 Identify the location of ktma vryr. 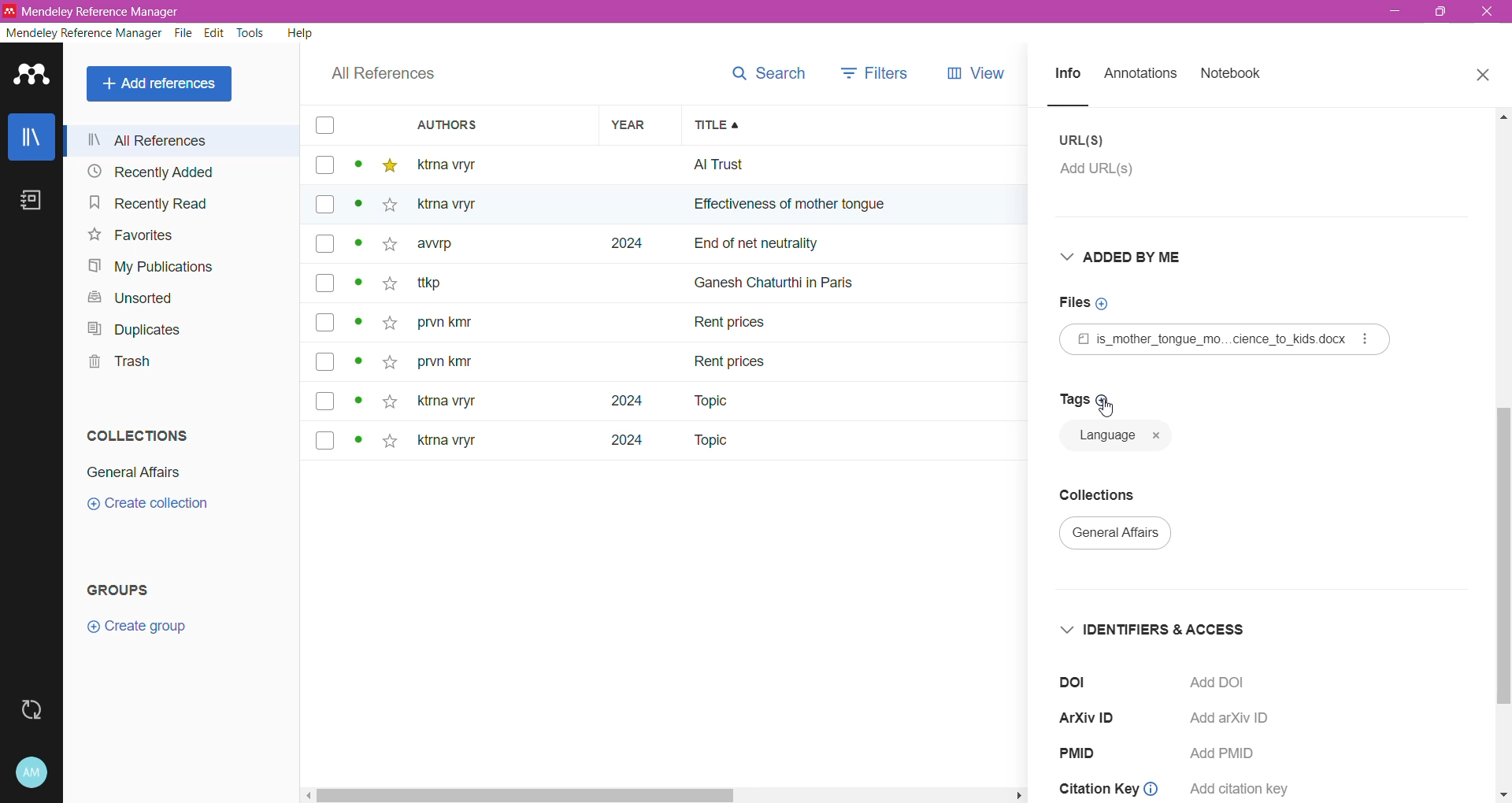
(447, 444).